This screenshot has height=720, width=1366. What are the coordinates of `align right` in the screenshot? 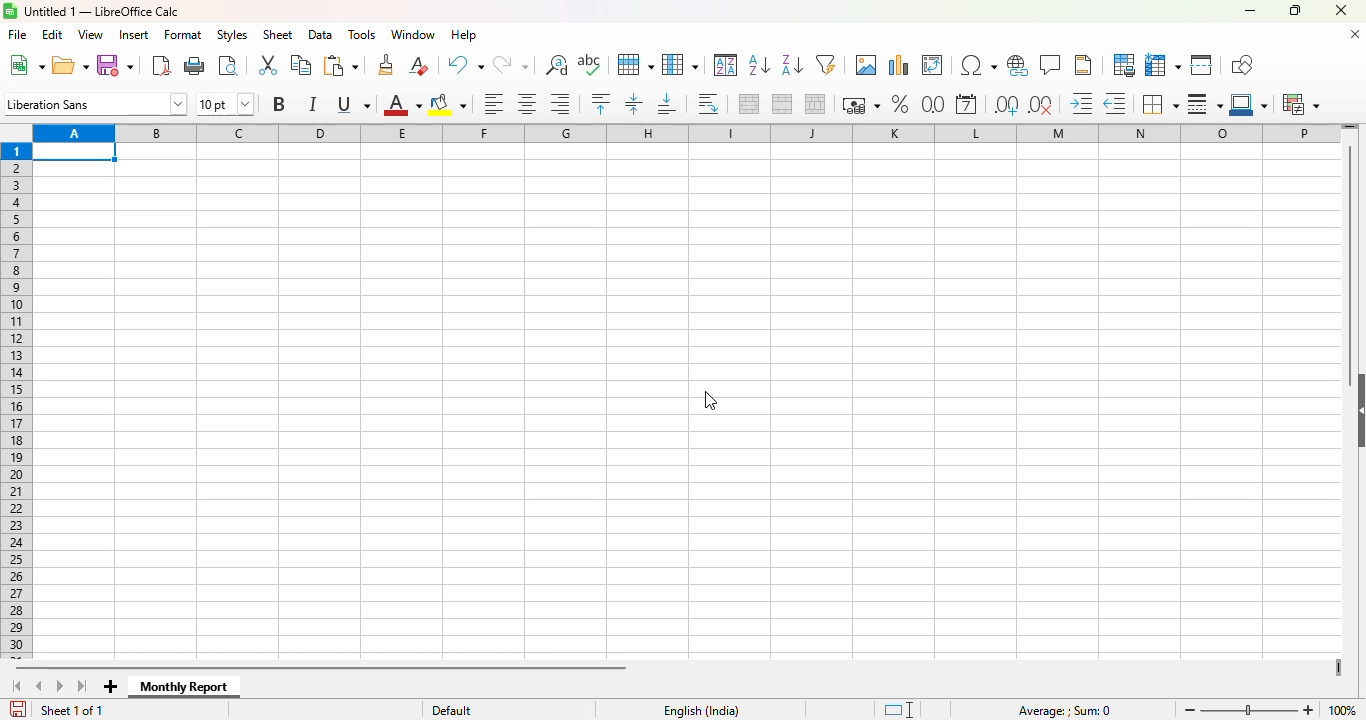 It's located at (560, 104).